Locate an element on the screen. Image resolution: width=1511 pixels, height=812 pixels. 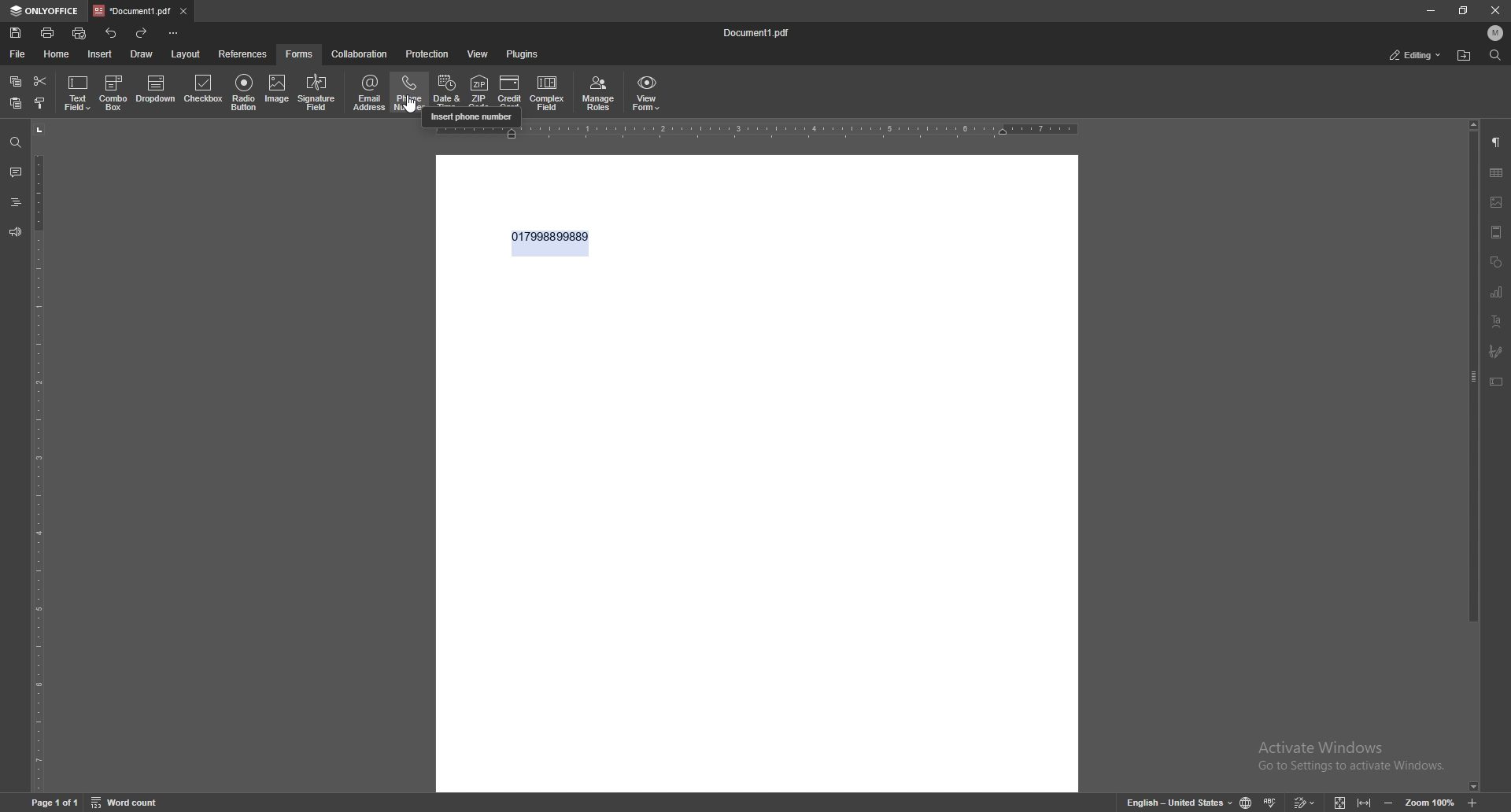
close is located at coordinates (1497, 11).